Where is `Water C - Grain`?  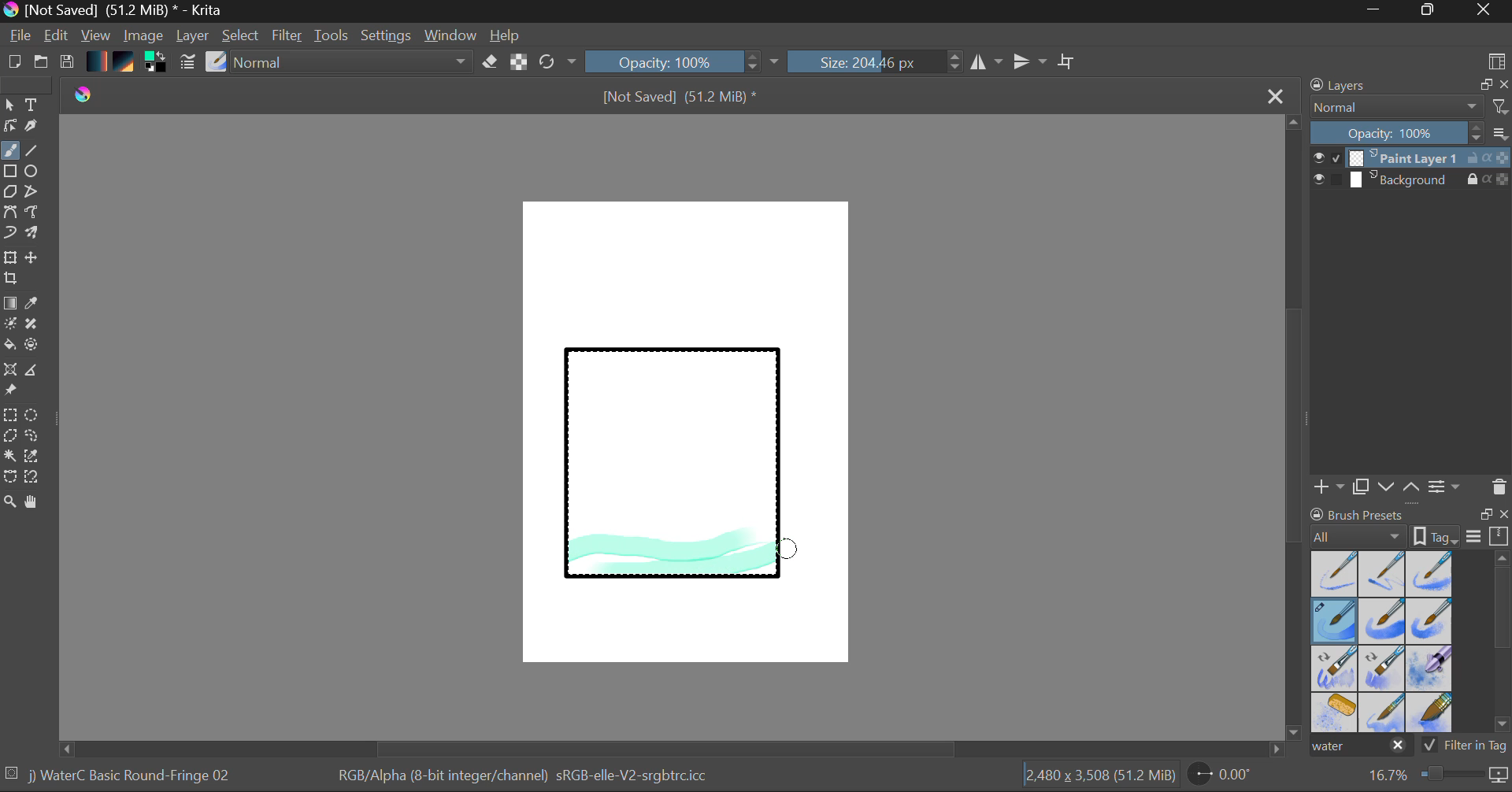
Water C - Grain is located at coordinates (1383, 622).